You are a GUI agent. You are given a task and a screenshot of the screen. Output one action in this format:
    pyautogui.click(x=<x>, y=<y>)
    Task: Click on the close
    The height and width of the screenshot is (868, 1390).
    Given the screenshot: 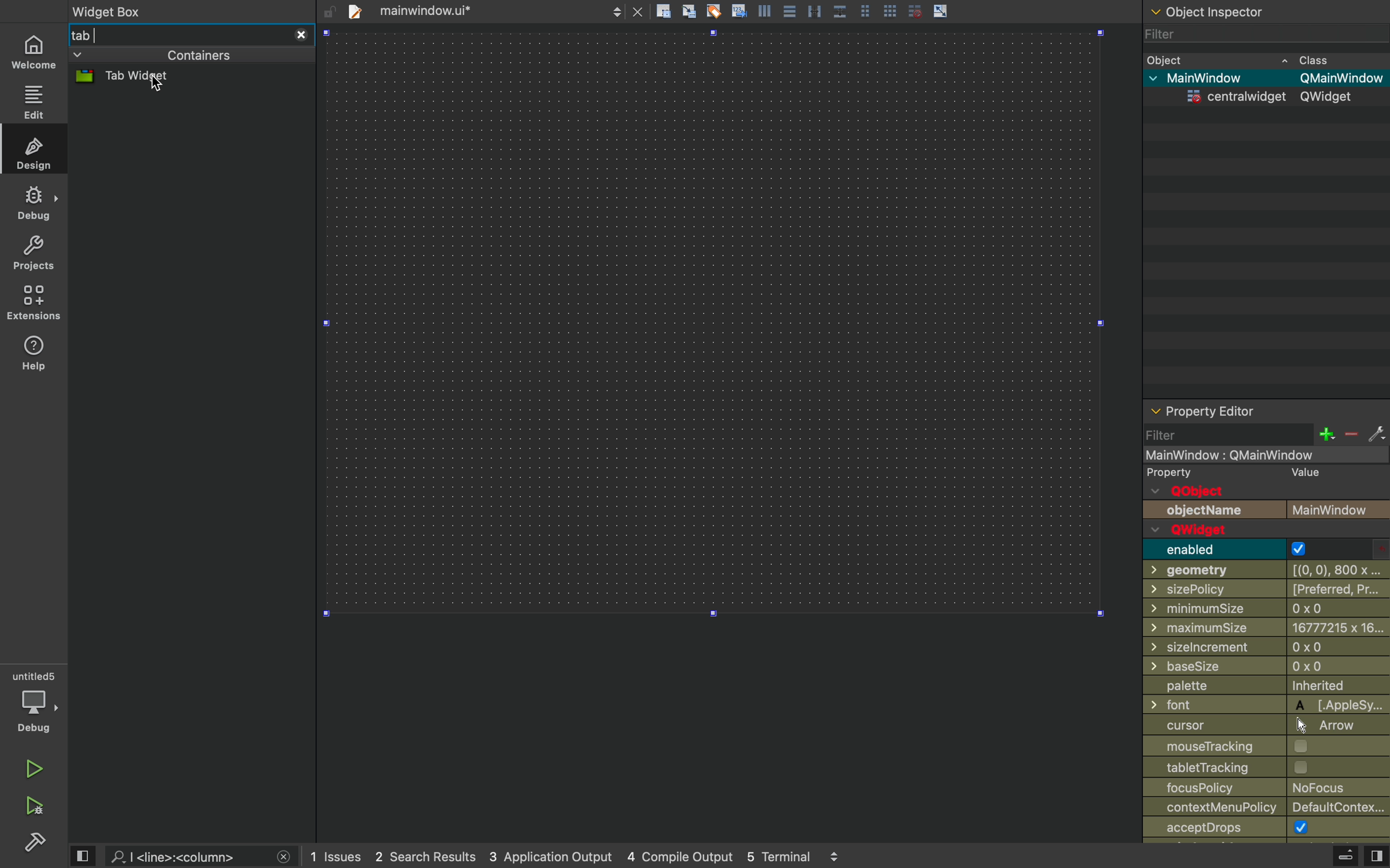 What is the action you would take?
    pyautogui.click(x=284, y=858)
    